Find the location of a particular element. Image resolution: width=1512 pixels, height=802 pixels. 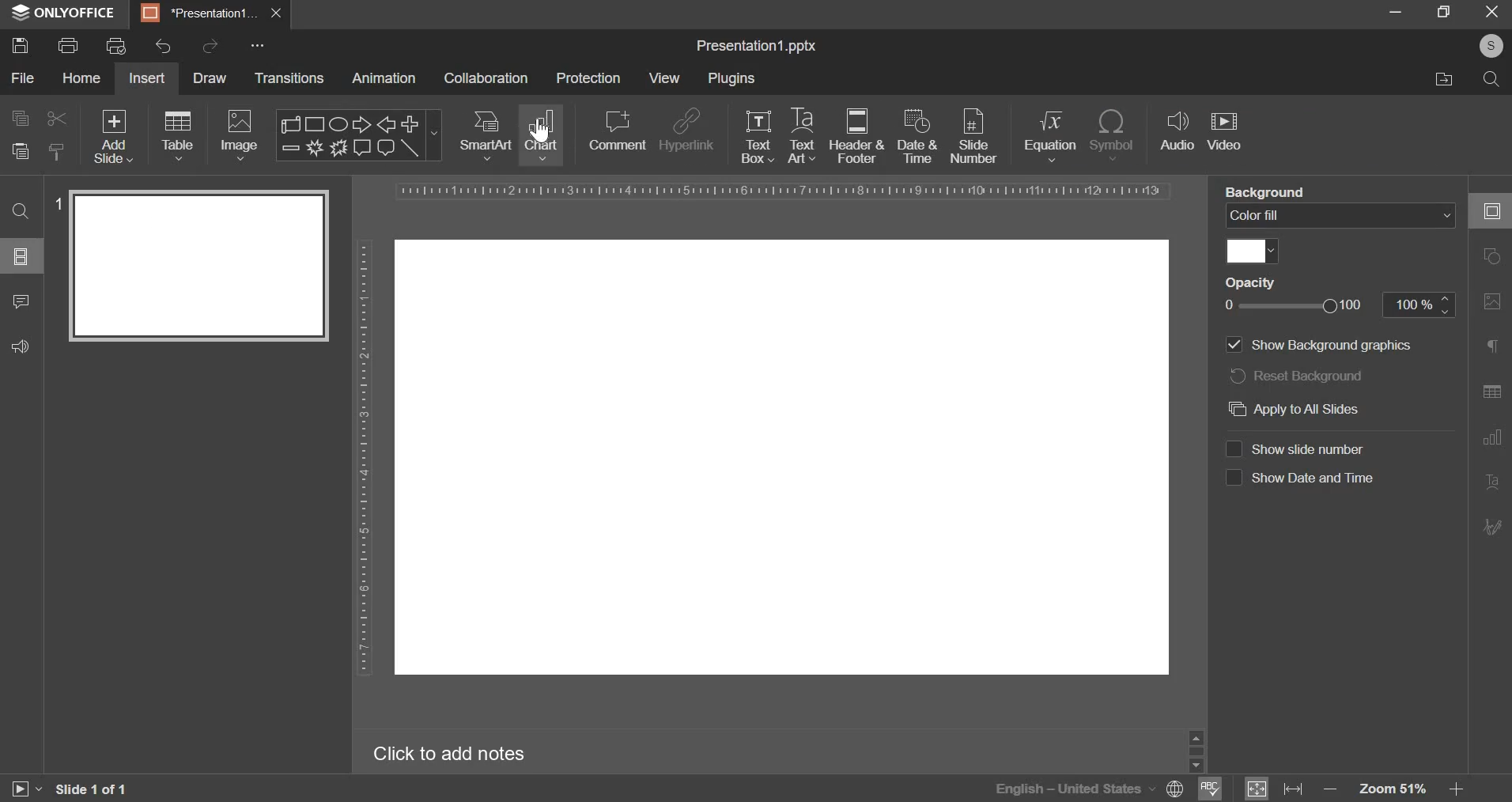

exit is located at coordinates (276, 12).